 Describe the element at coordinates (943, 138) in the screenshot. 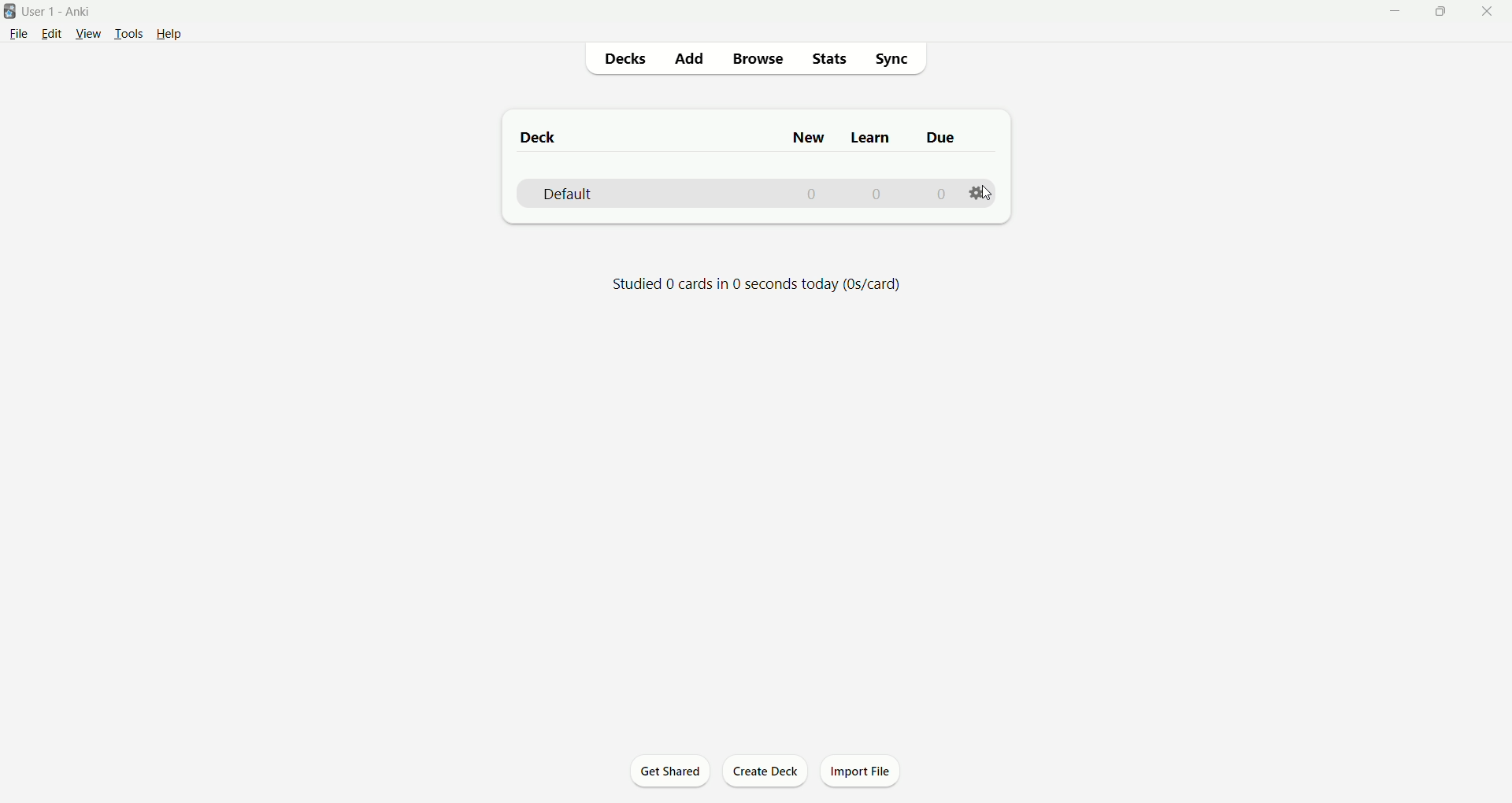

I see `due` at that location.